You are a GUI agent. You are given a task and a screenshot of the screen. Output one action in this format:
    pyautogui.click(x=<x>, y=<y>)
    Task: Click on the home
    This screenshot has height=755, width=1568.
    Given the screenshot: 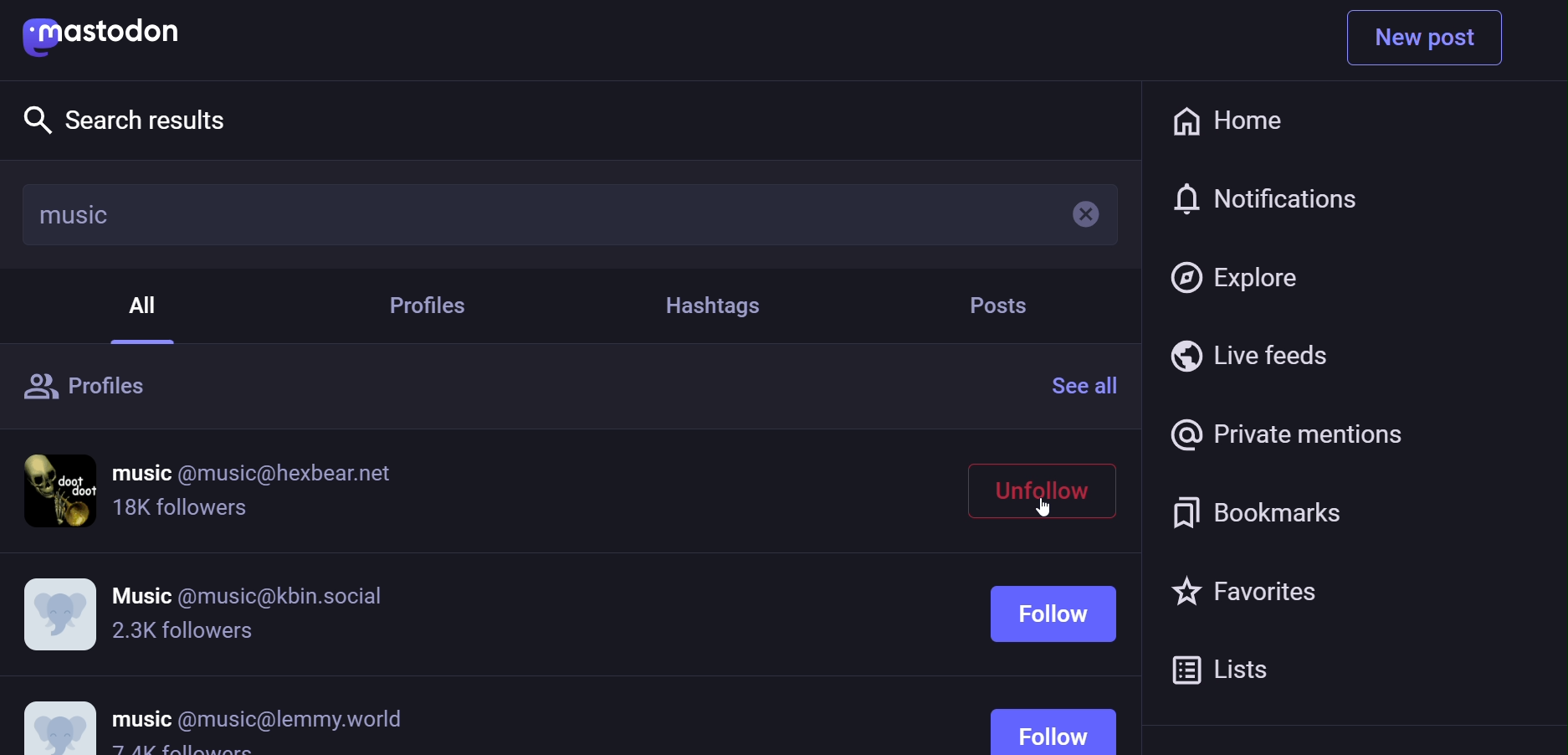 What is the action you would take?
    pyautogui.click(x=1226, y=122)
    